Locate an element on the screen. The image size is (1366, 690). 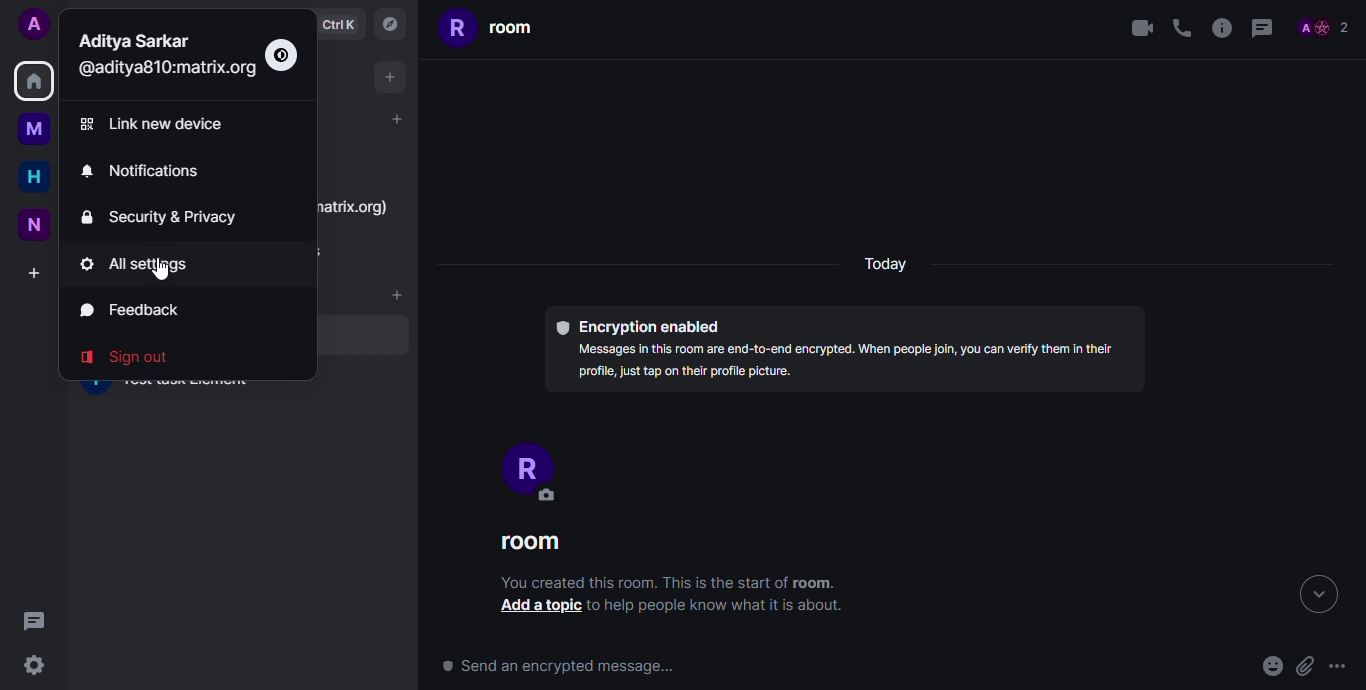
info is located at coordinates (663, 582).